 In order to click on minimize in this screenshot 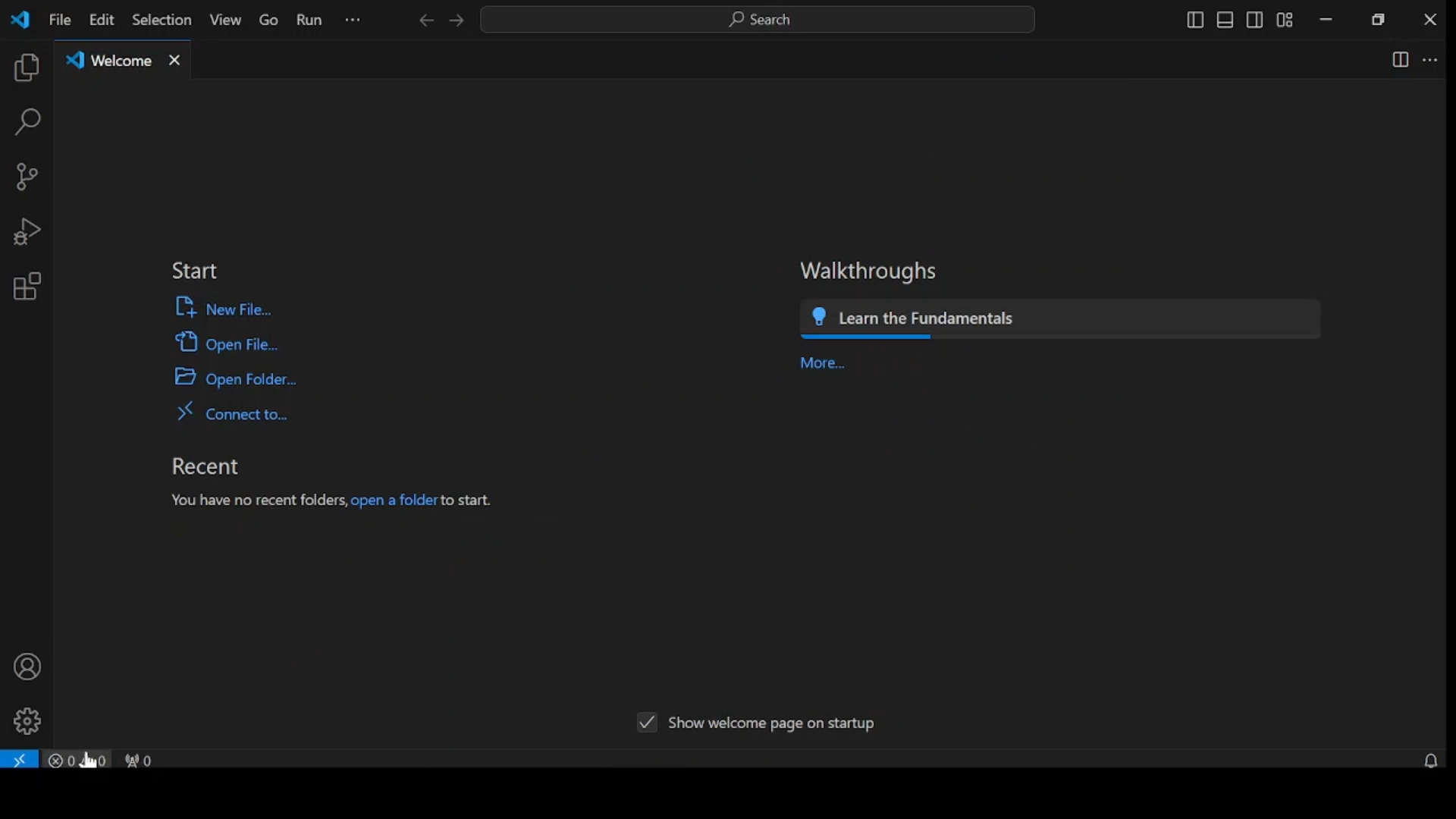, I will do `click(1326, 20)`.